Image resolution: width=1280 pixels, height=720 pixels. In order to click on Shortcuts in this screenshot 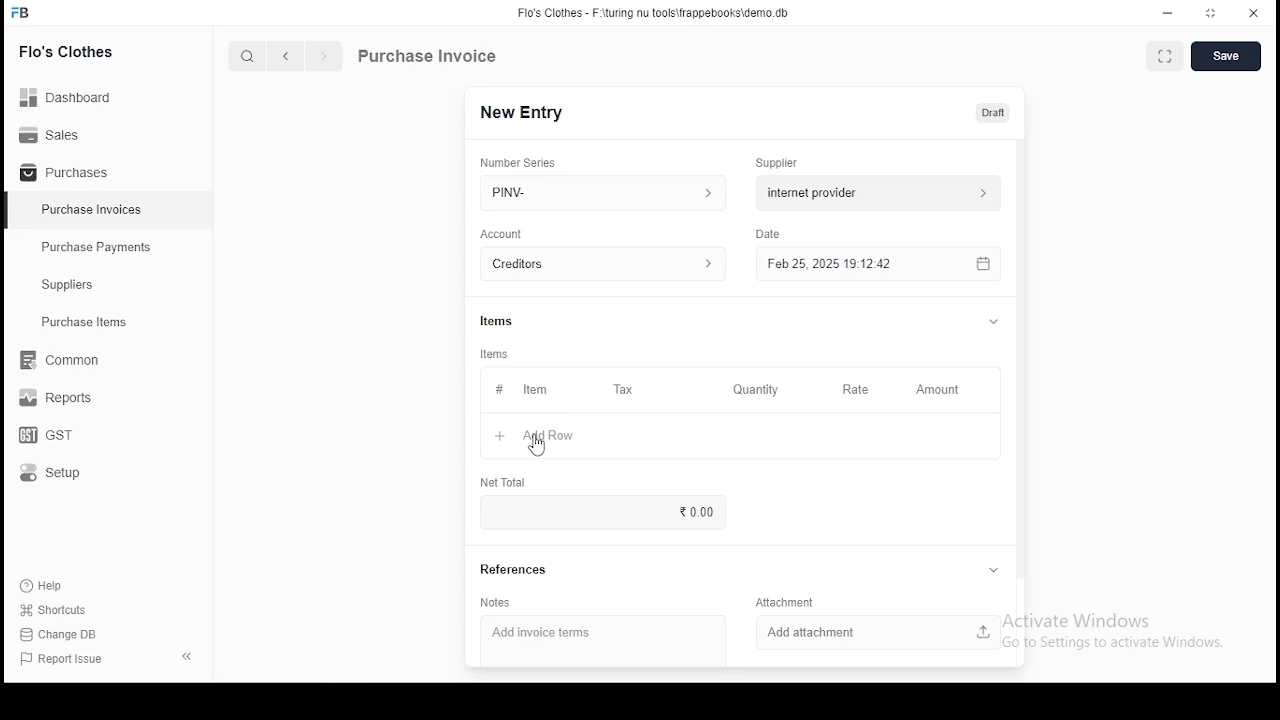, I will do `click(61, 610)`.